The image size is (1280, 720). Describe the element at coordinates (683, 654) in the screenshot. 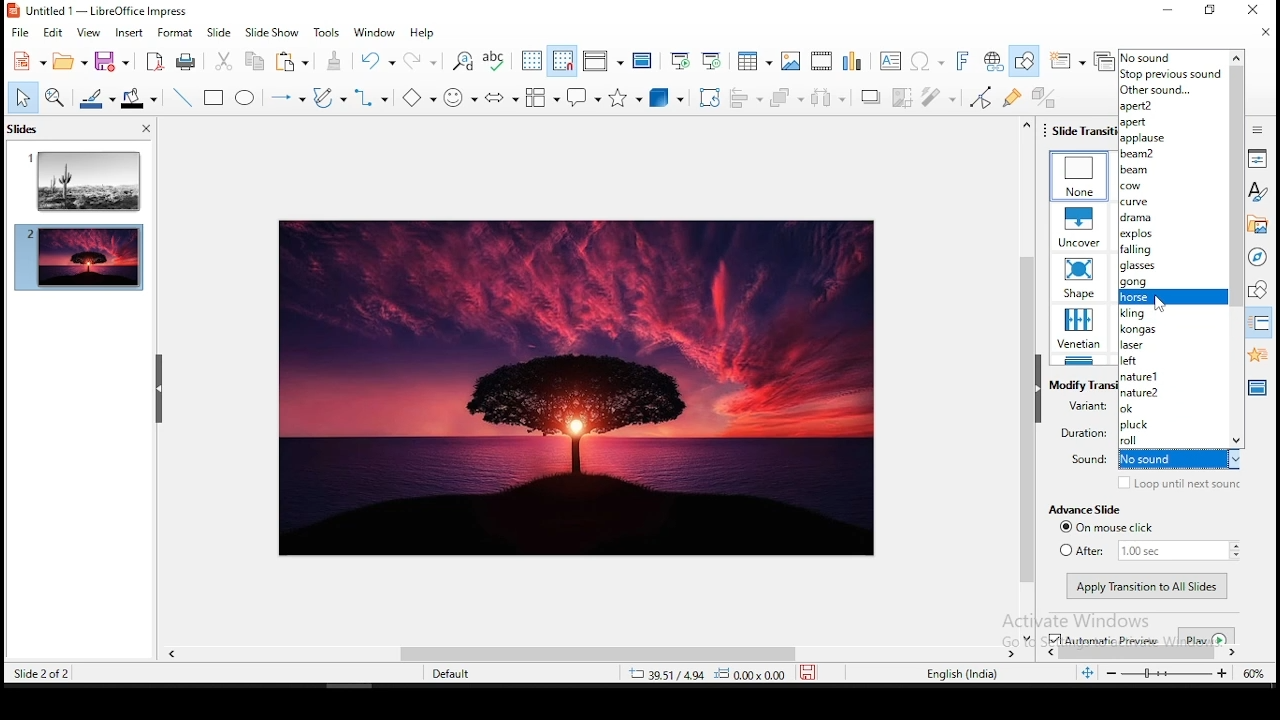

I see `scroll bar` at that location.